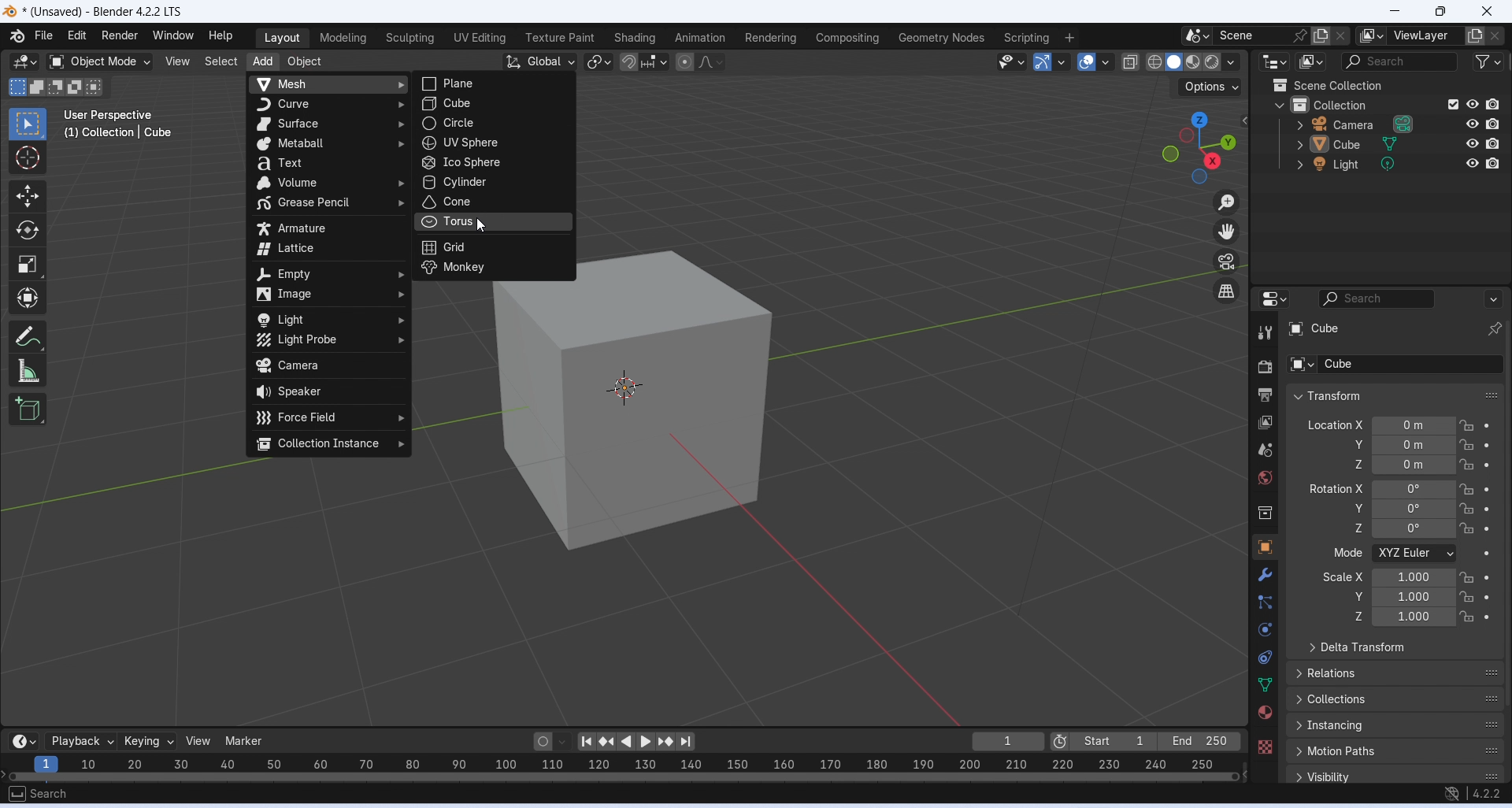 The height and width of the screenshot is (808, 1512). Describe the element at coordinates (1227, 201) in the screenshot. I see `Zoom in/out` at that location.